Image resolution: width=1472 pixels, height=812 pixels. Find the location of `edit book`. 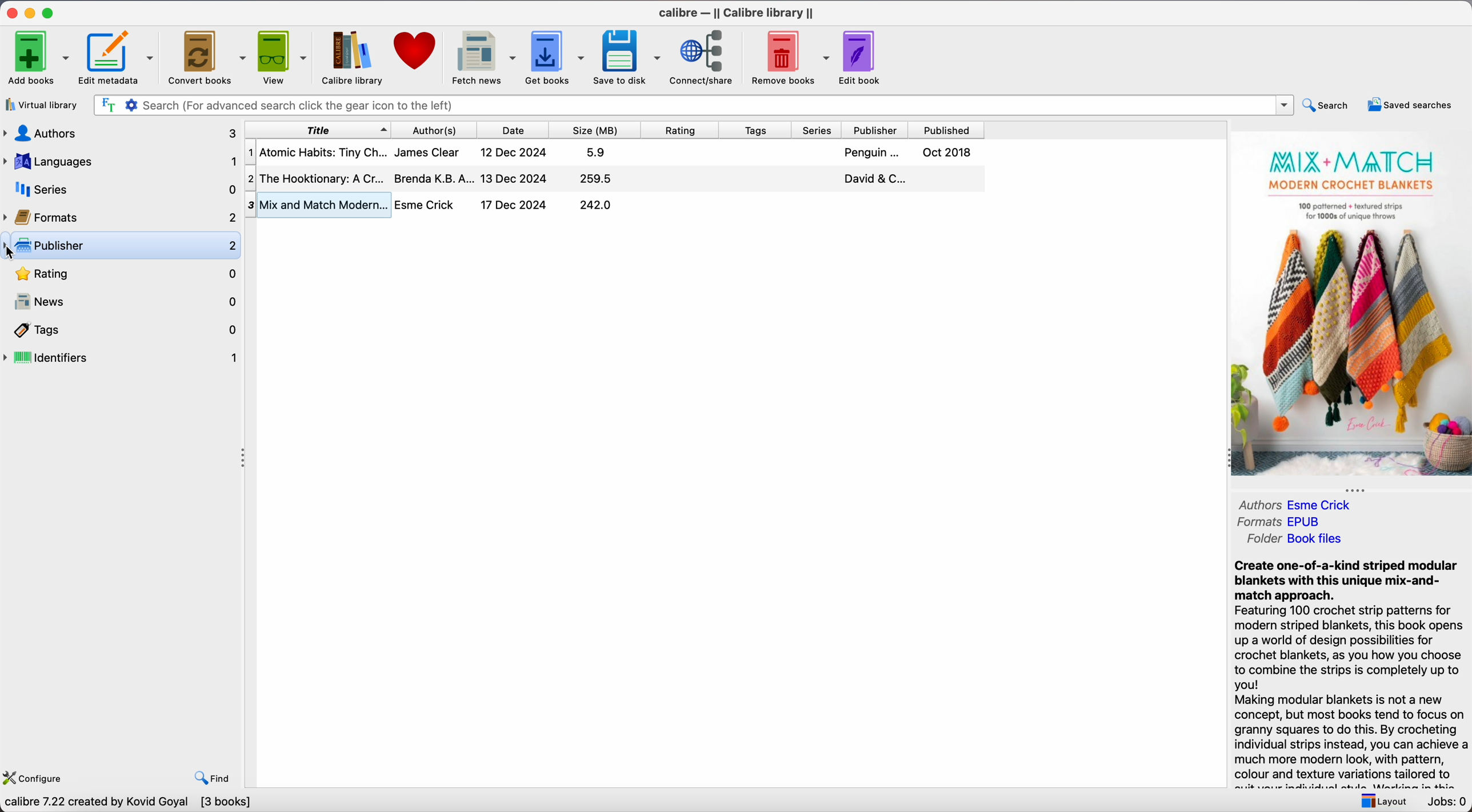

edit book is located at coordinates (864, 57).